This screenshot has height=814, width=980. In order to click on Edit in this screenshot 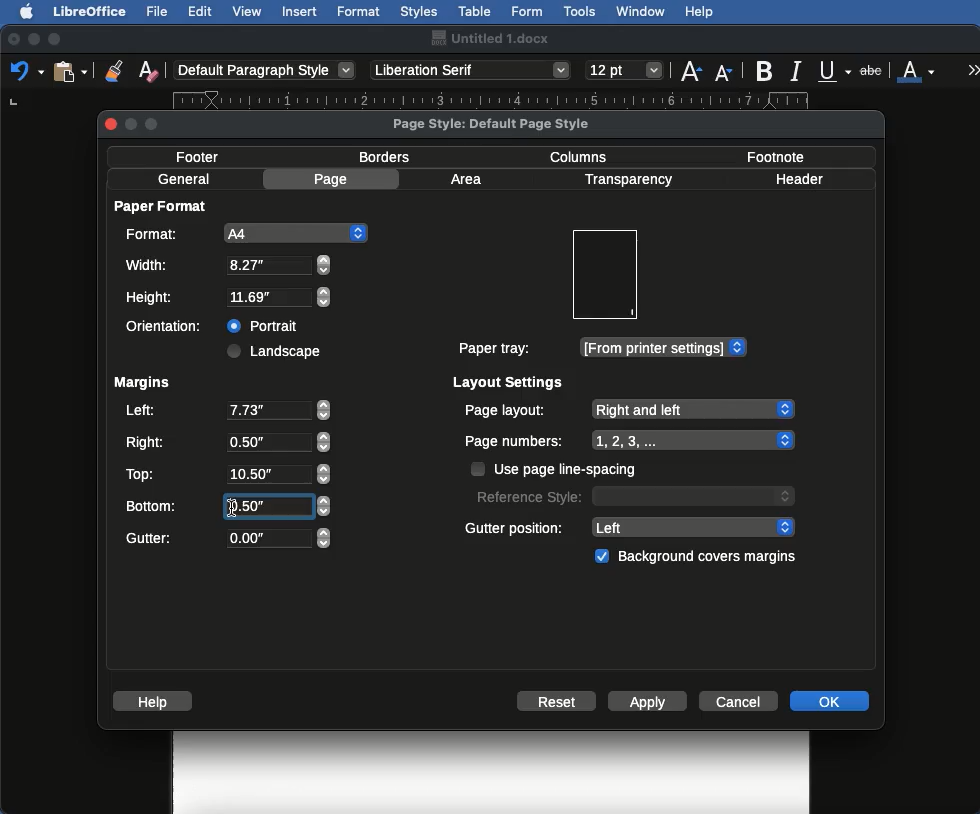, I will do `click(200, 11)`.